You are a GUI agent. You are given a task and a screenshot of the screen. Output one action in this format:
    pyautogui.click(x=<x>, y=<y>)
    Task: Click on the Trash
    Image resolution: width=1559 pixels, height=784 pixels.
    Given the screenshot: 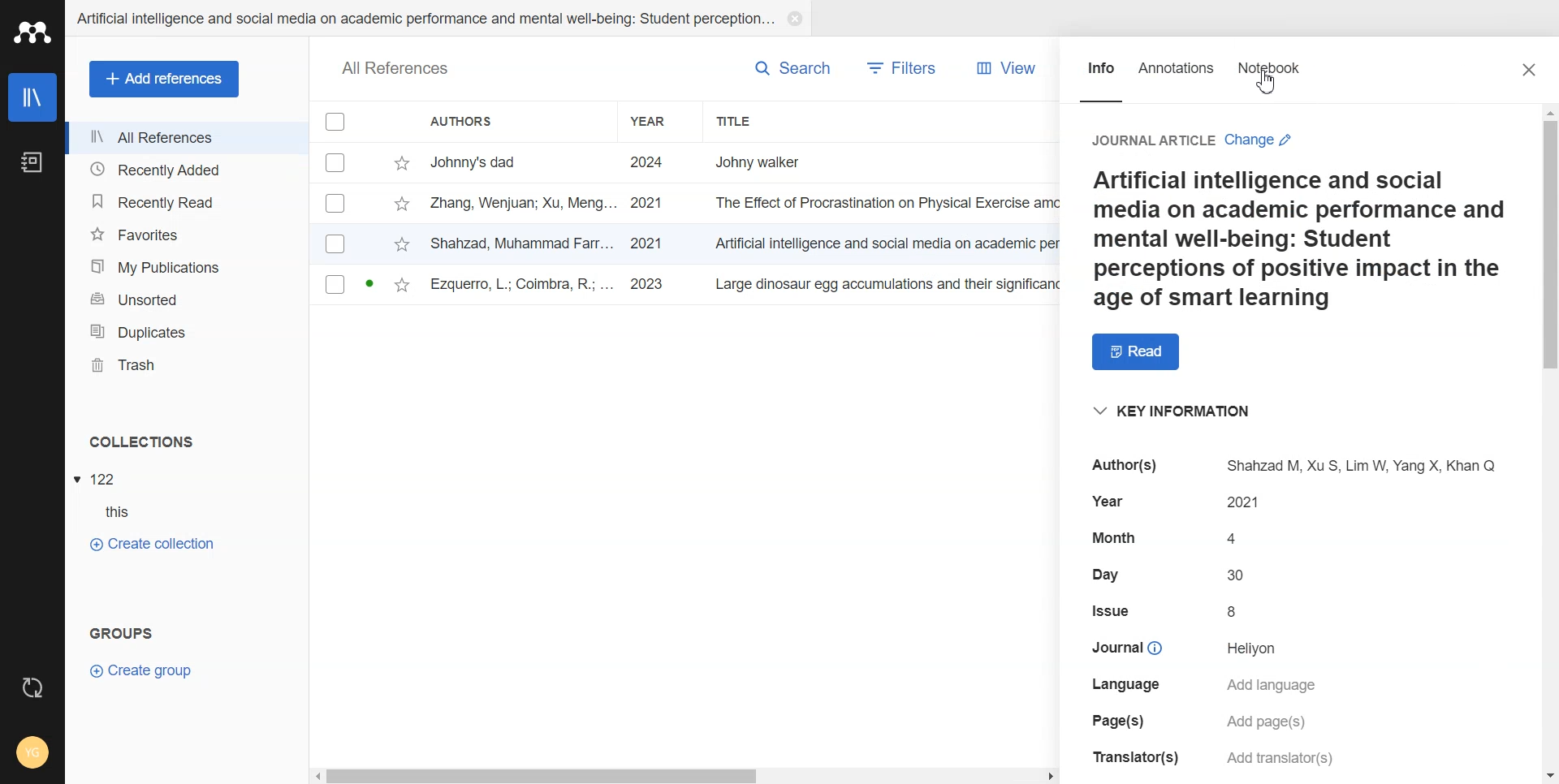 What is the action you would take?
    pyautogui.click(x=187, y=365)
    